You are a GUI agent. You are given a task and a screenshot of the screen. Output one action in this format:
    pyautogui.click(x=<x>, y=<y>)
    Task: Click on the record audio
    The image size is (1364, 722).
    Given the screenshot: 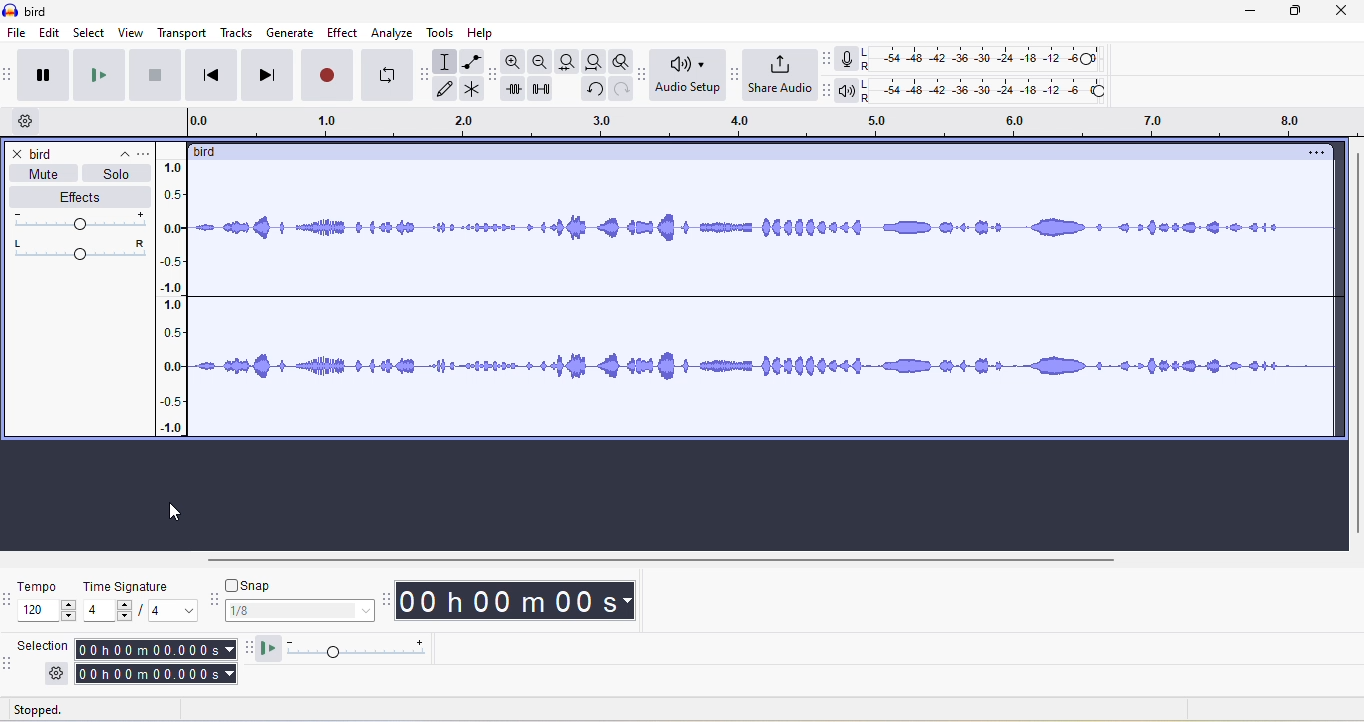 What is the action you would take?
    pyautogui.click(x=766, y=303)
    